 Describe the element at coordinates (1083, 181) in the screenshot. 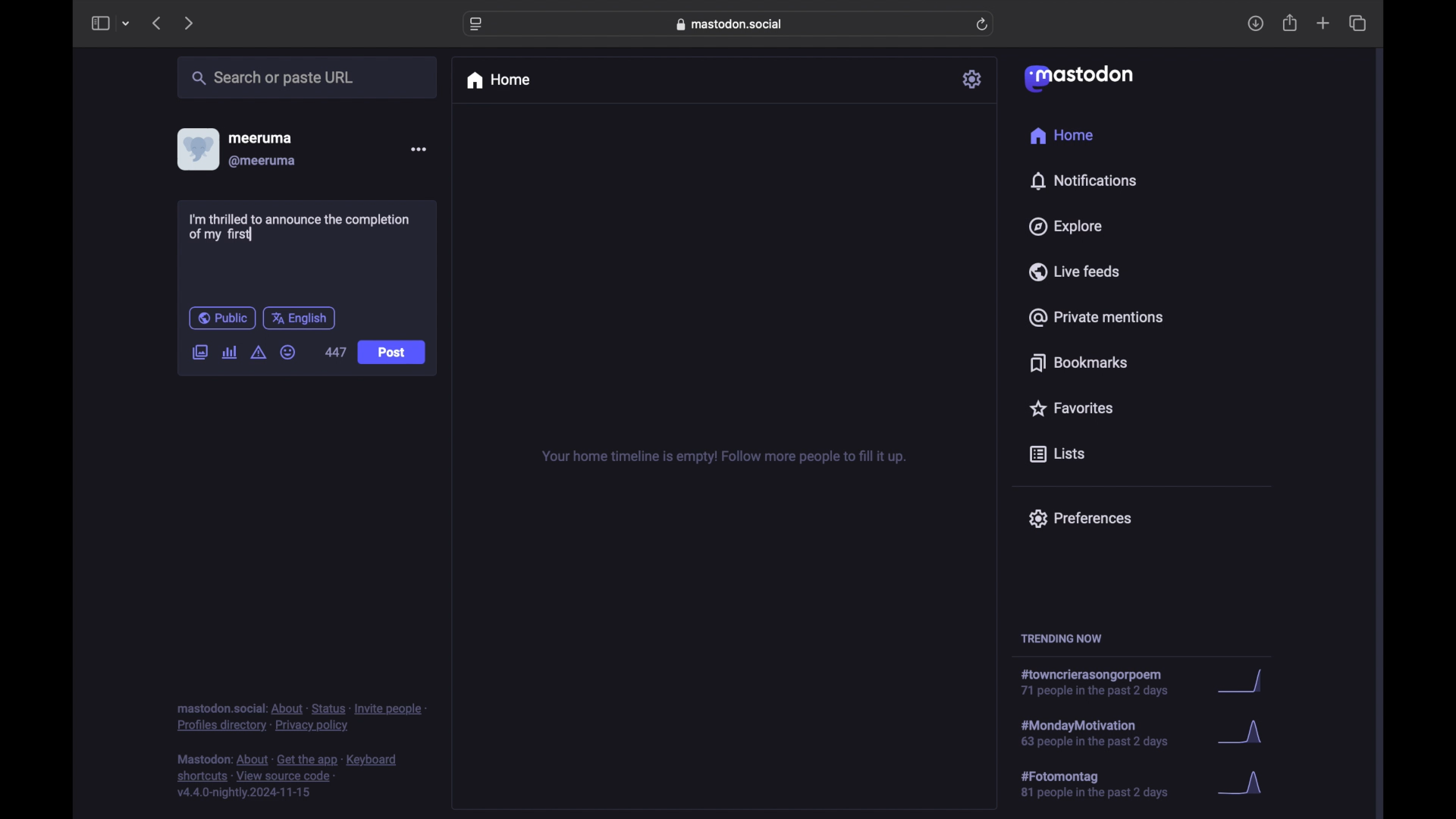

I see `notifications` at that location.